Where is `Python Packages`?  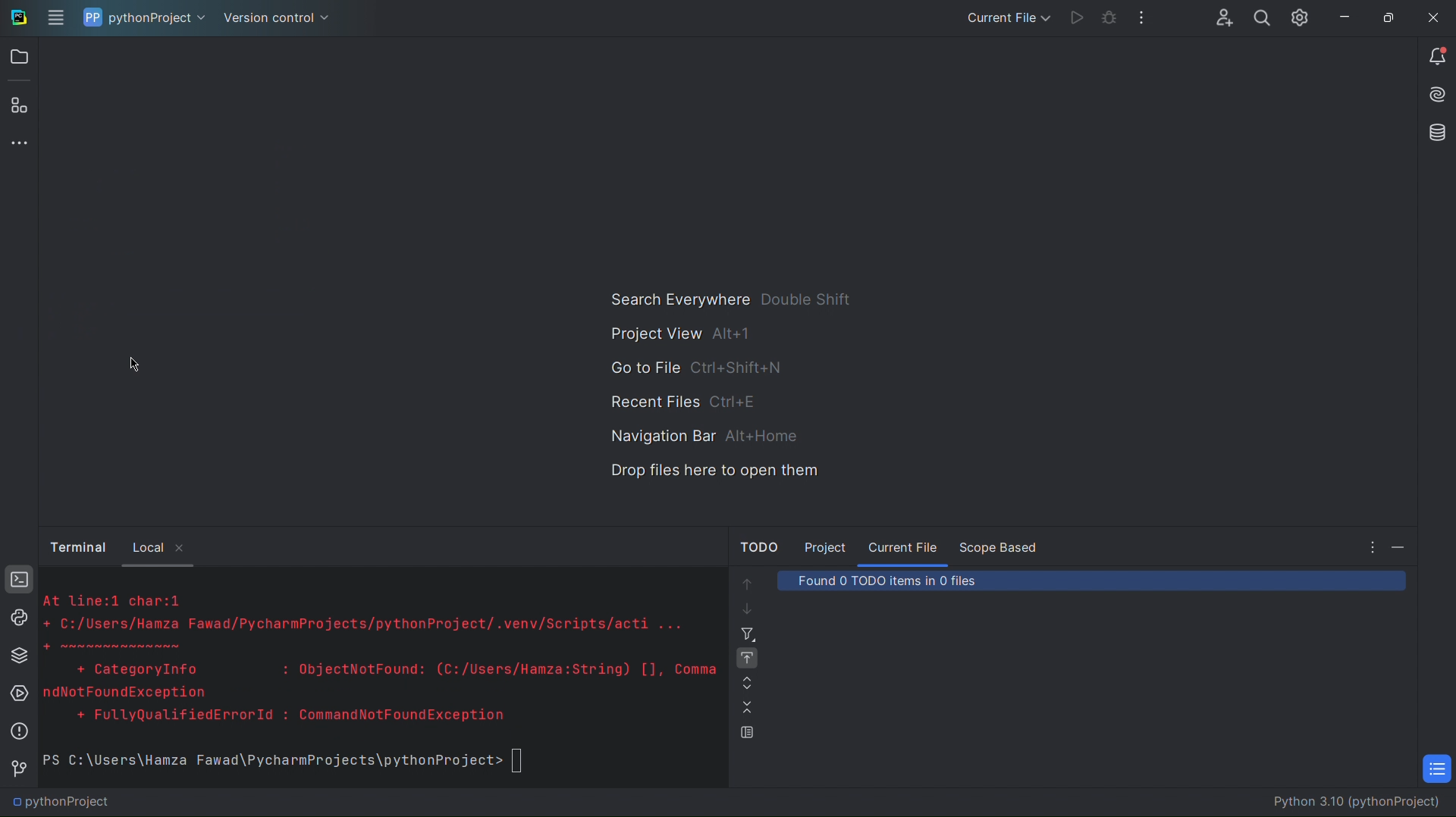
Python Packages is located at coordinates (19, 656).